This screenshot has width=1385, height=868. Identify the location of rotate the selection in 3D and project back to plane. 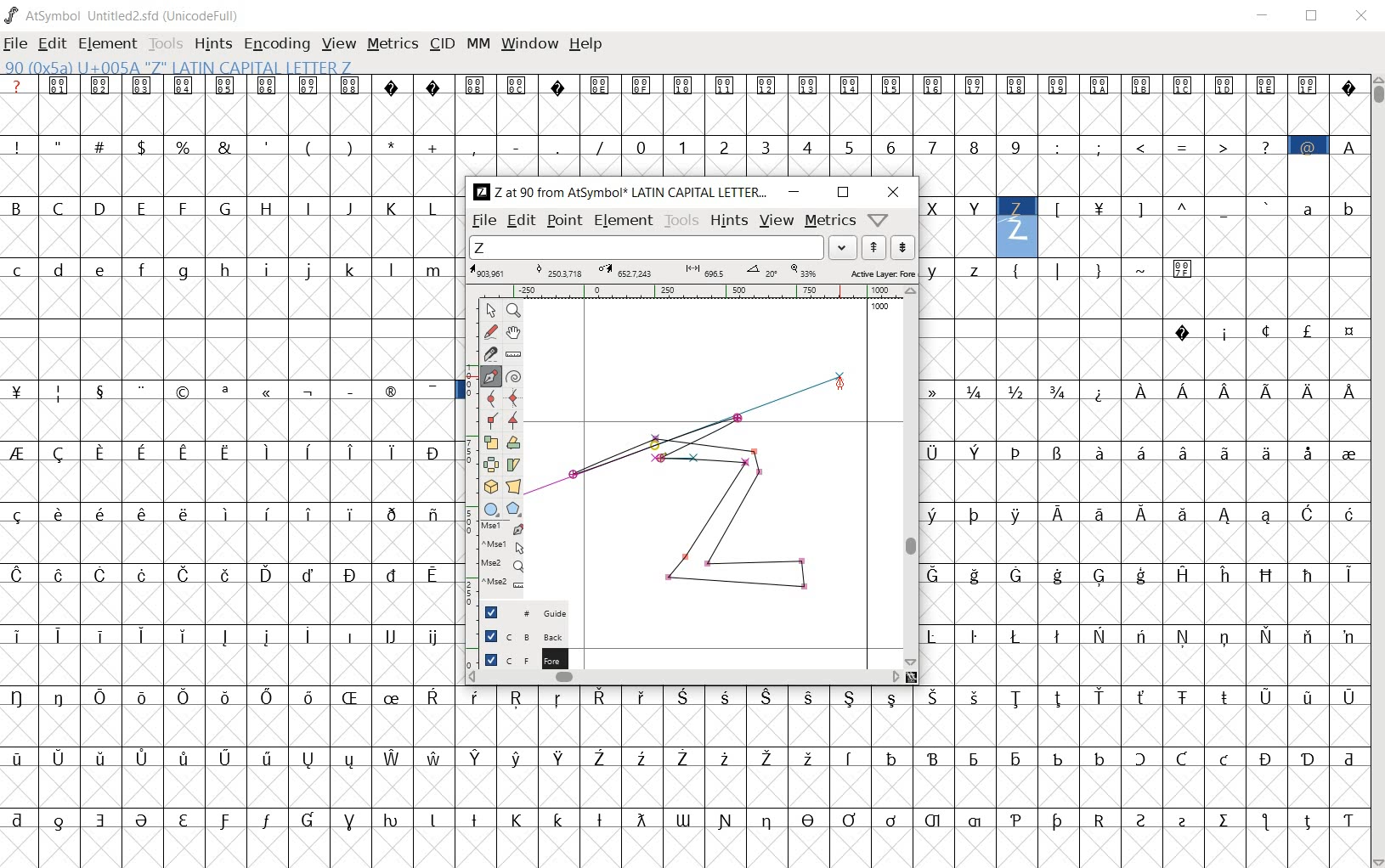
(490, 486).